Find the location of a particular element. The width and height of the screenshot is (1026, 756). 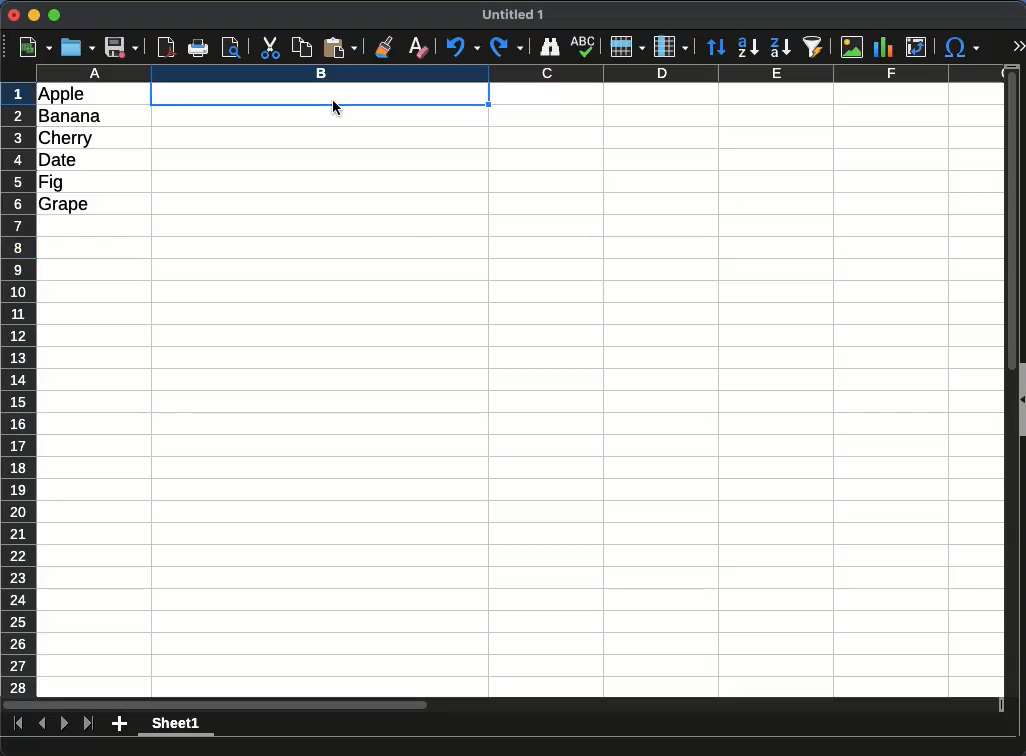

ascending is located at coordinates (748, 48).